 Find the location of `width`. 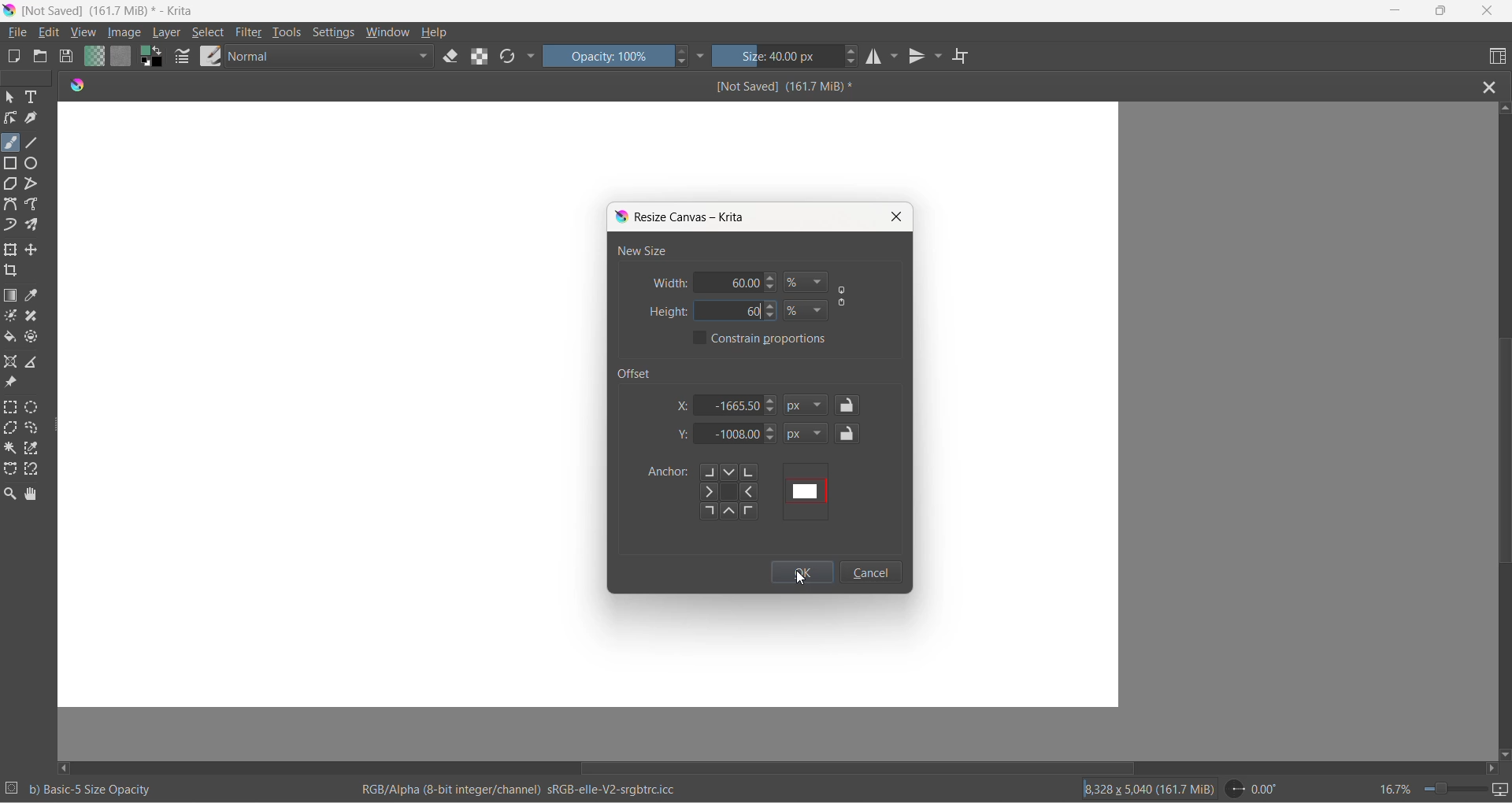

width is located at coordinates (669, 283).